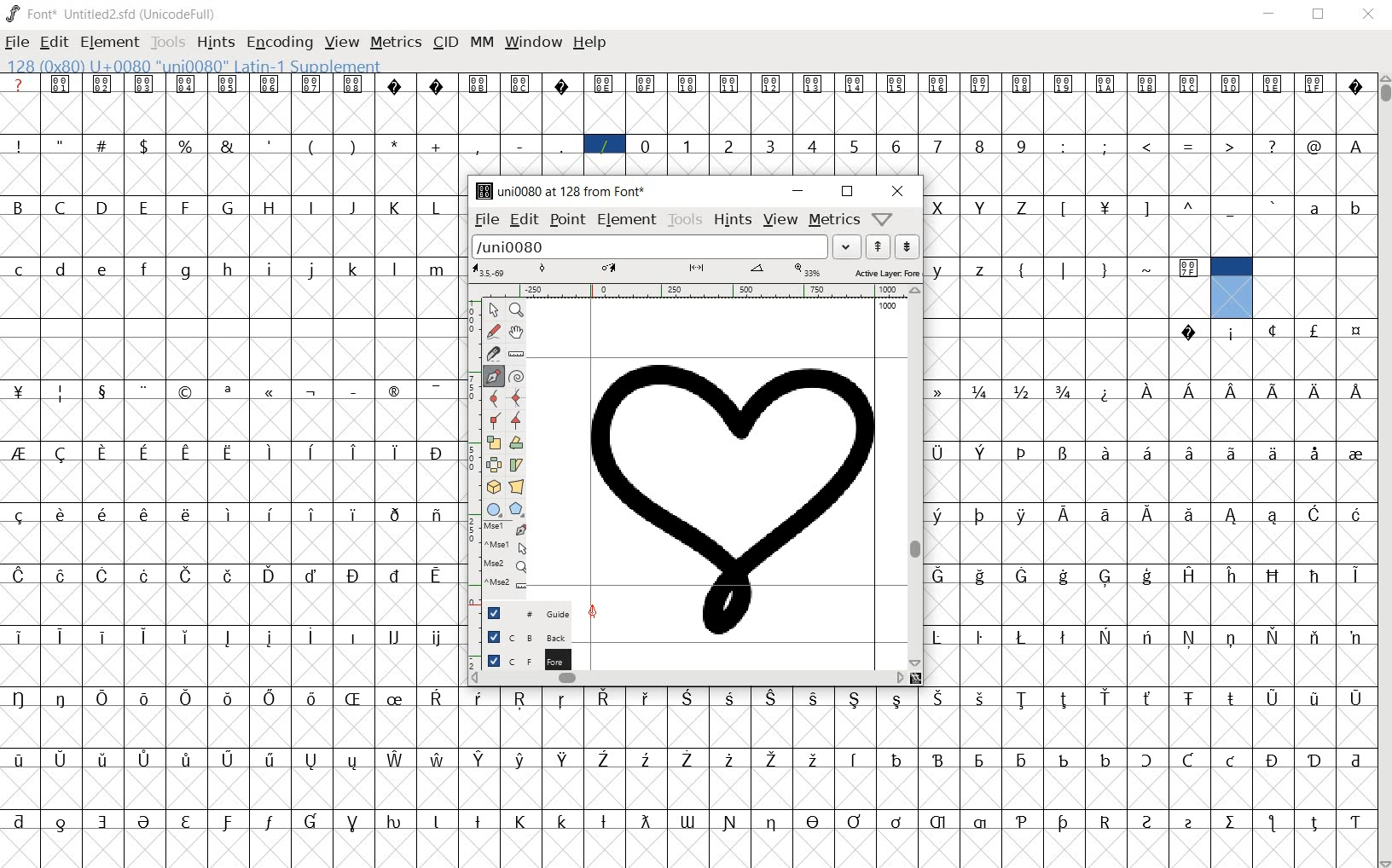 The image size is (1392, 868). What do you see at coordinates (1229, 287) in the screenshot?
I see `glyph slot` at bounding box center [1229, 287].